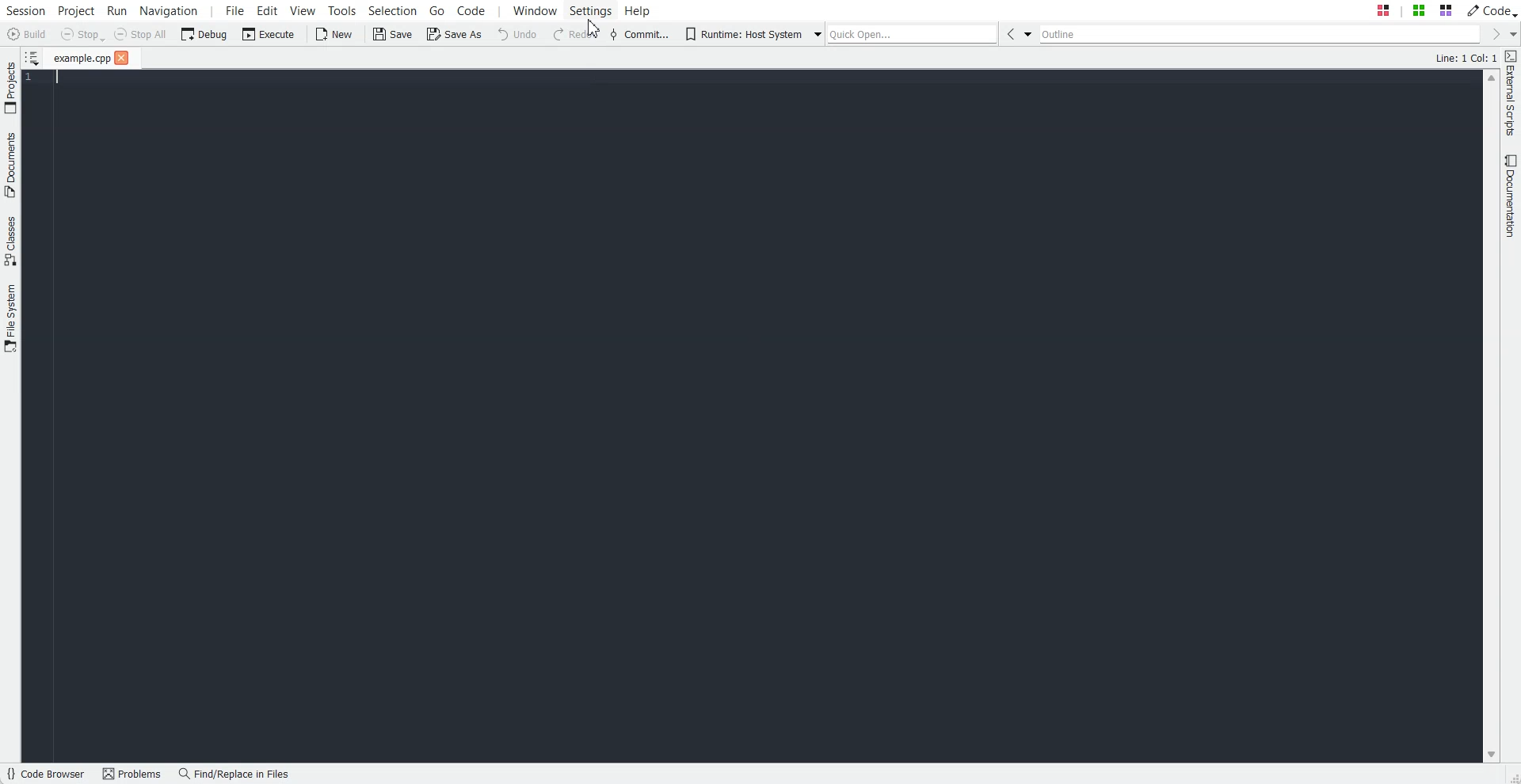  What do you see at coordinates (122, 57) in the screenshot?
I see `Close` at bounding box center [122, 57].